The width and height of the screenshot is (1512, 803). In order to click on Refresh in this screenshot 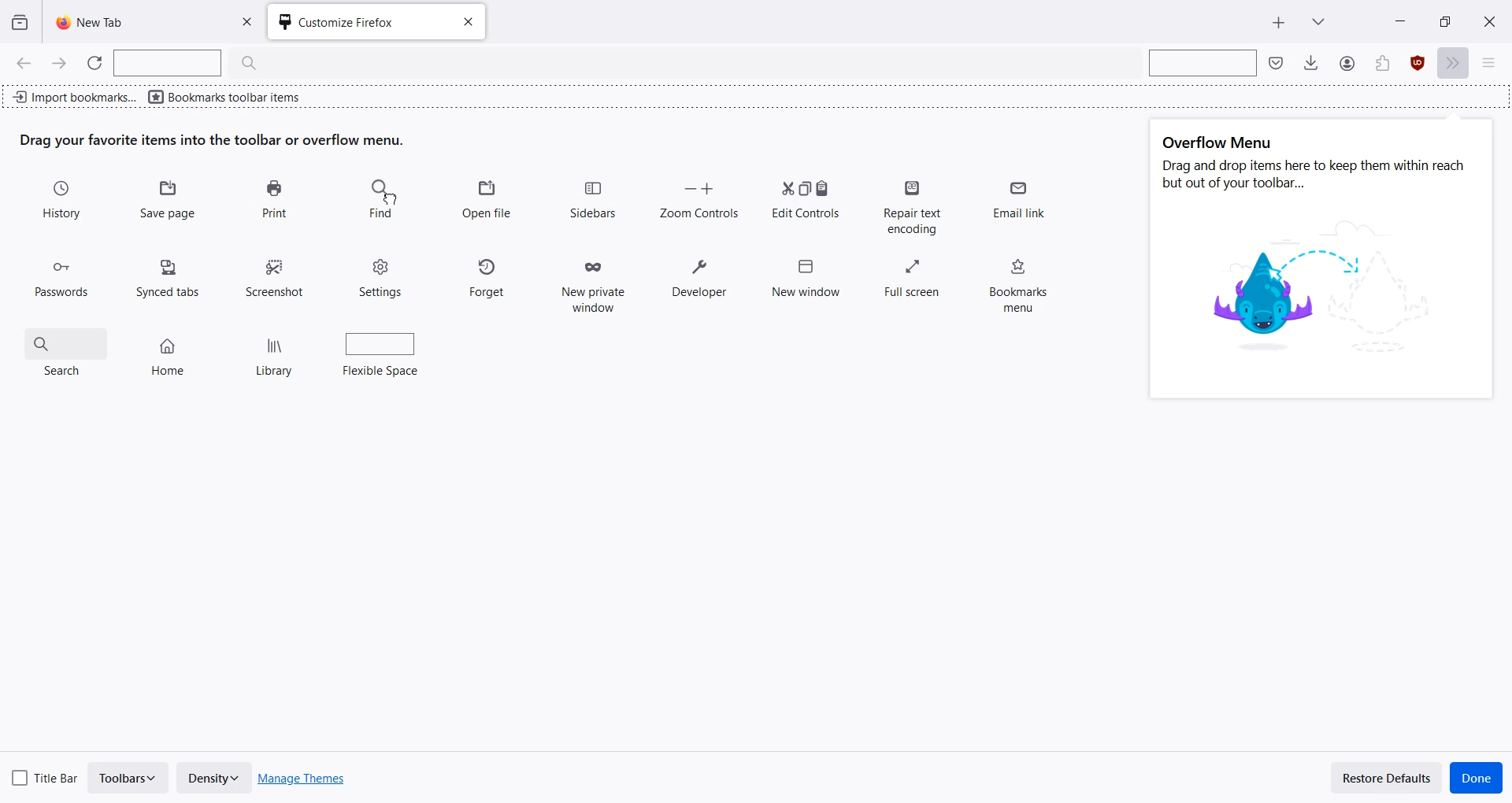, I will do `click(95, 63)`.